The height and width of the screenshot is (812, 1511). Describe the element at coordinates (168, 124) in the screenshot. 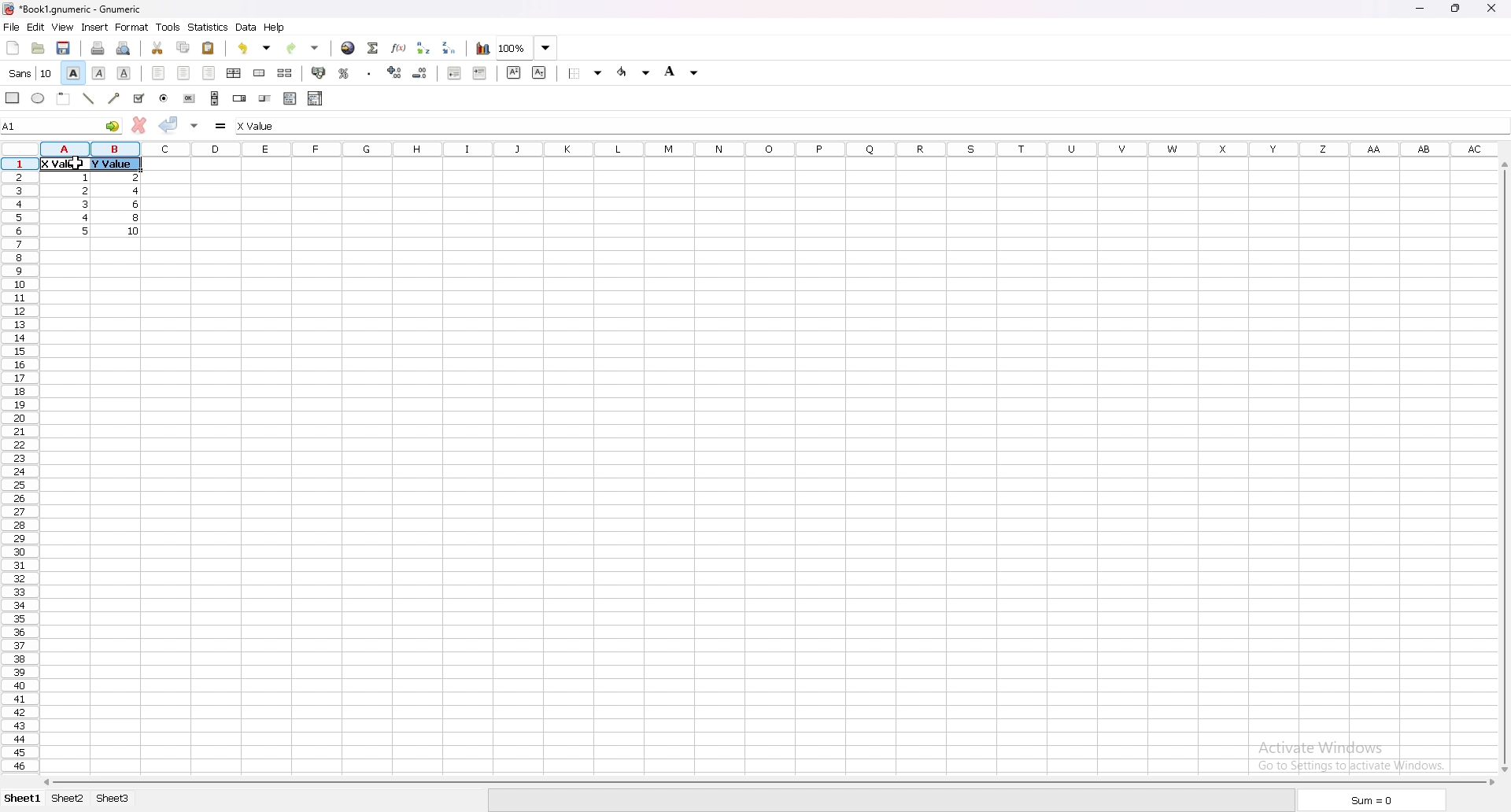

I see `accept change` at that location.